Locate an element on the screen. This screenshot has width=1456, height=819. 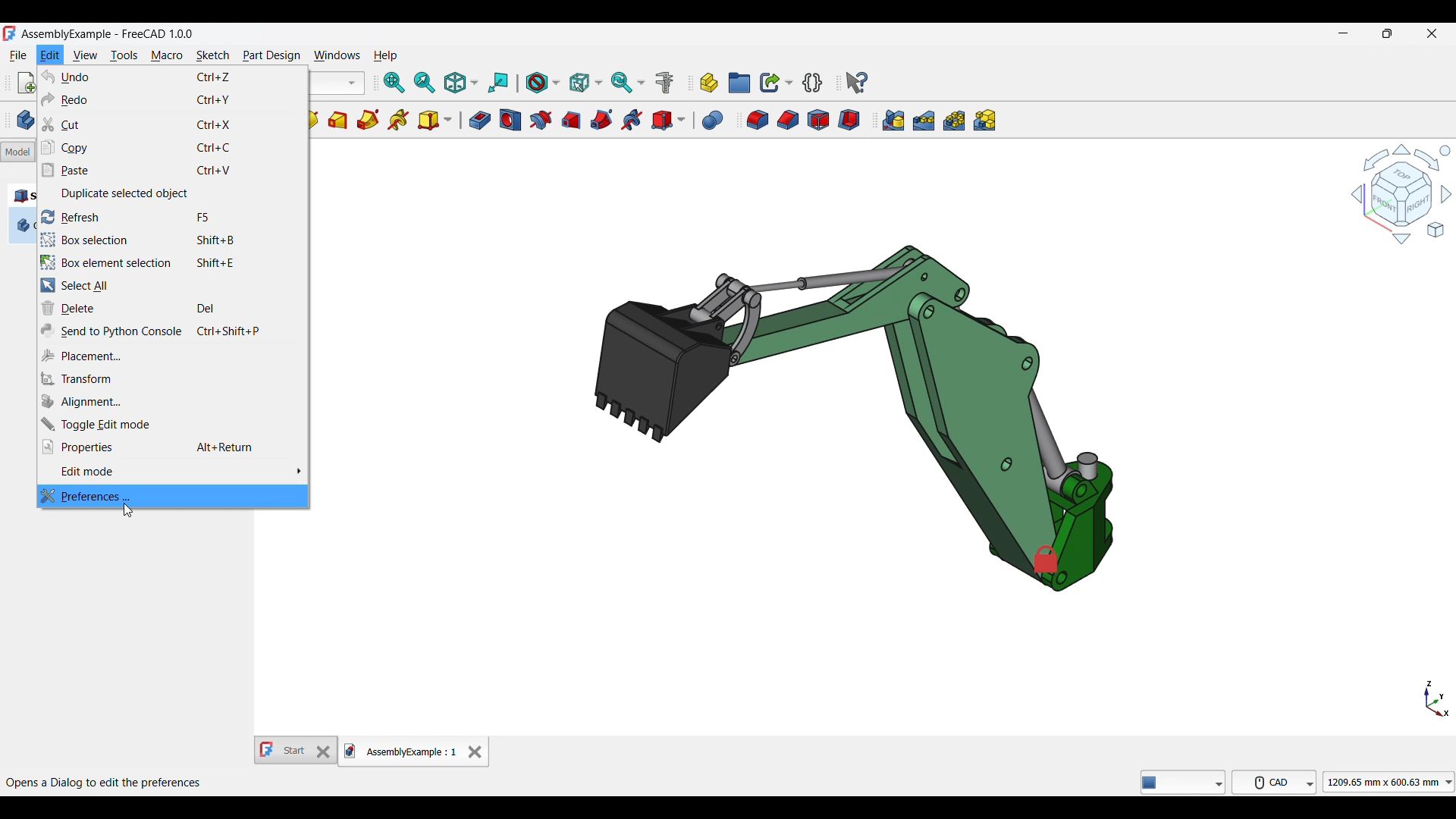
Select all is located at coordinates (173, 285).